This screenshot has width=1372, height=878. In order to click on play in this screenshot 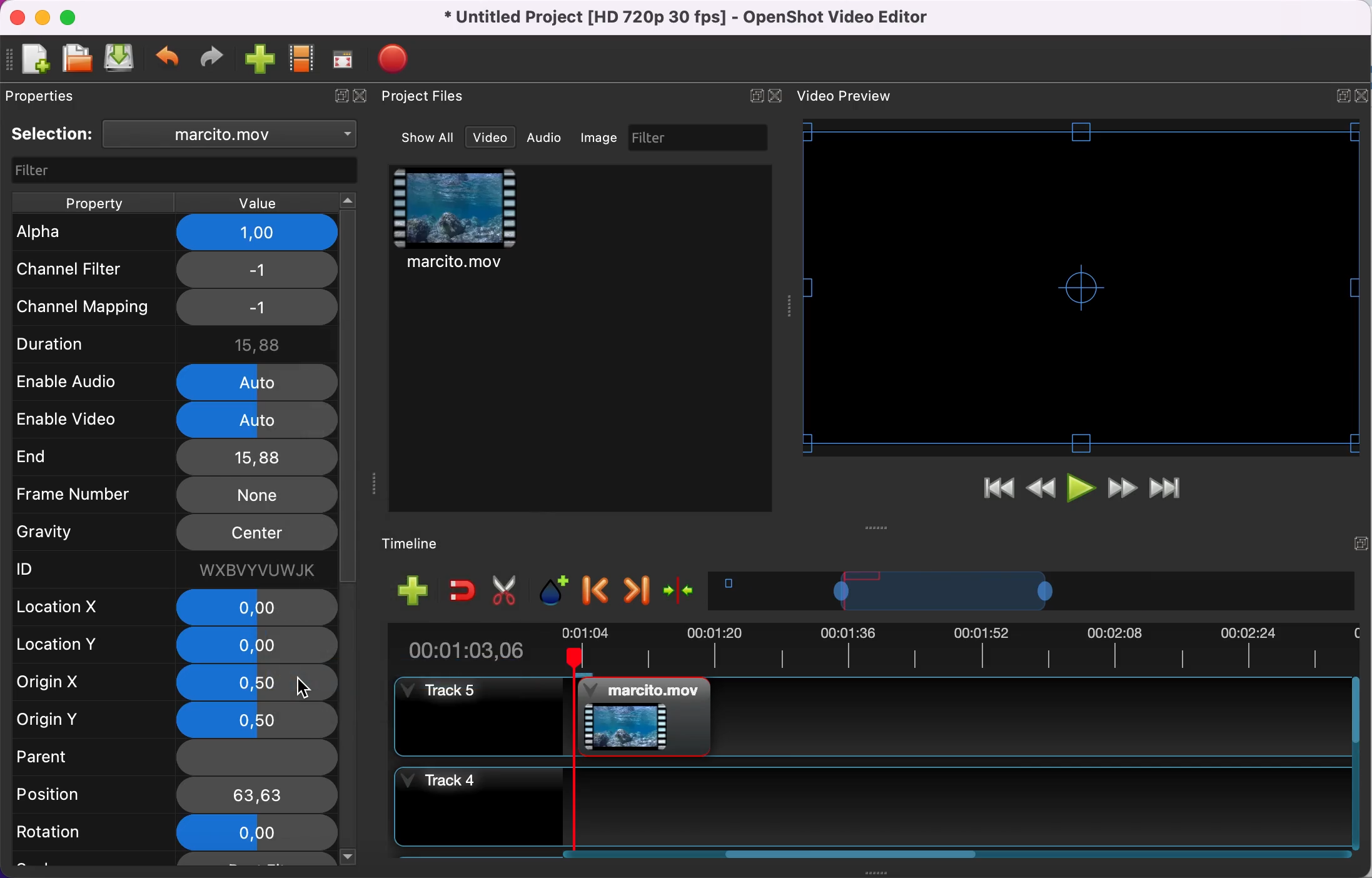, I will do `click(1083, 491)`.